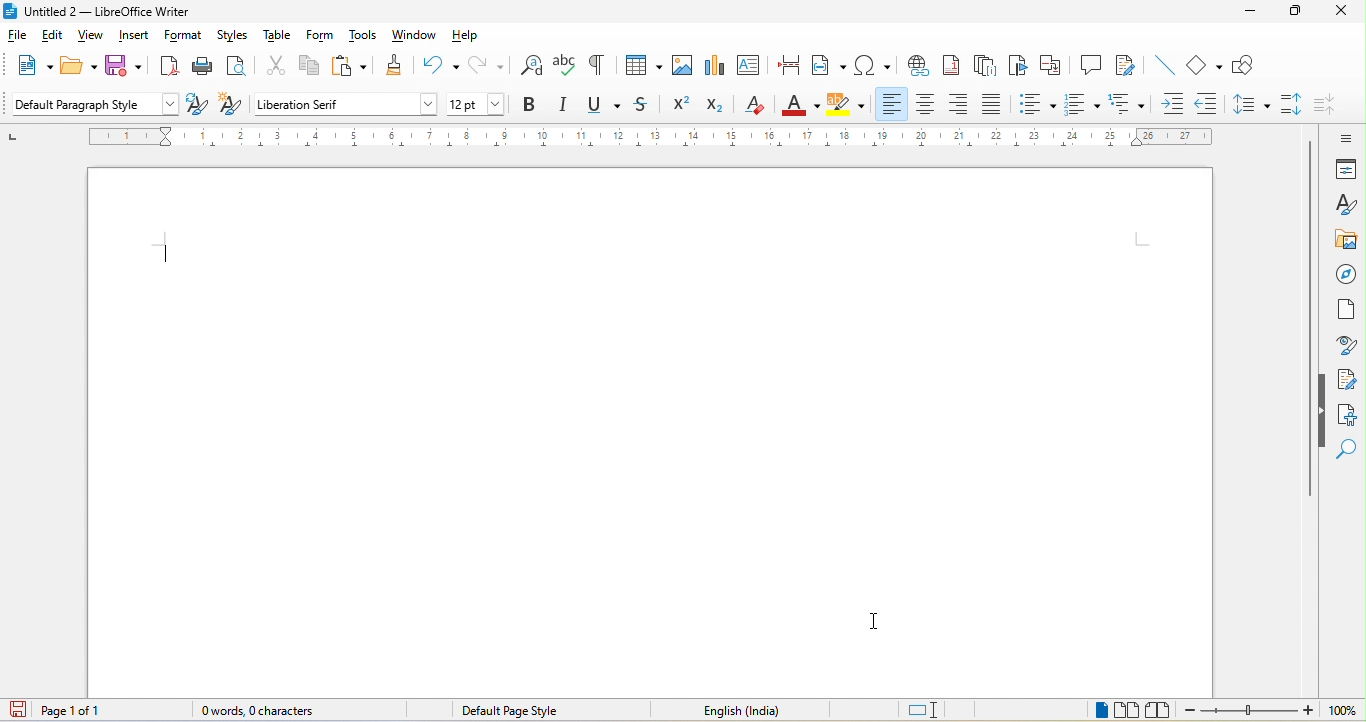 This screenshot has height=722, width=1366. What do you see at coordinates (755, 107) in the screenshot?
I see `clear direct formatting` at bounding box center [755, 107].